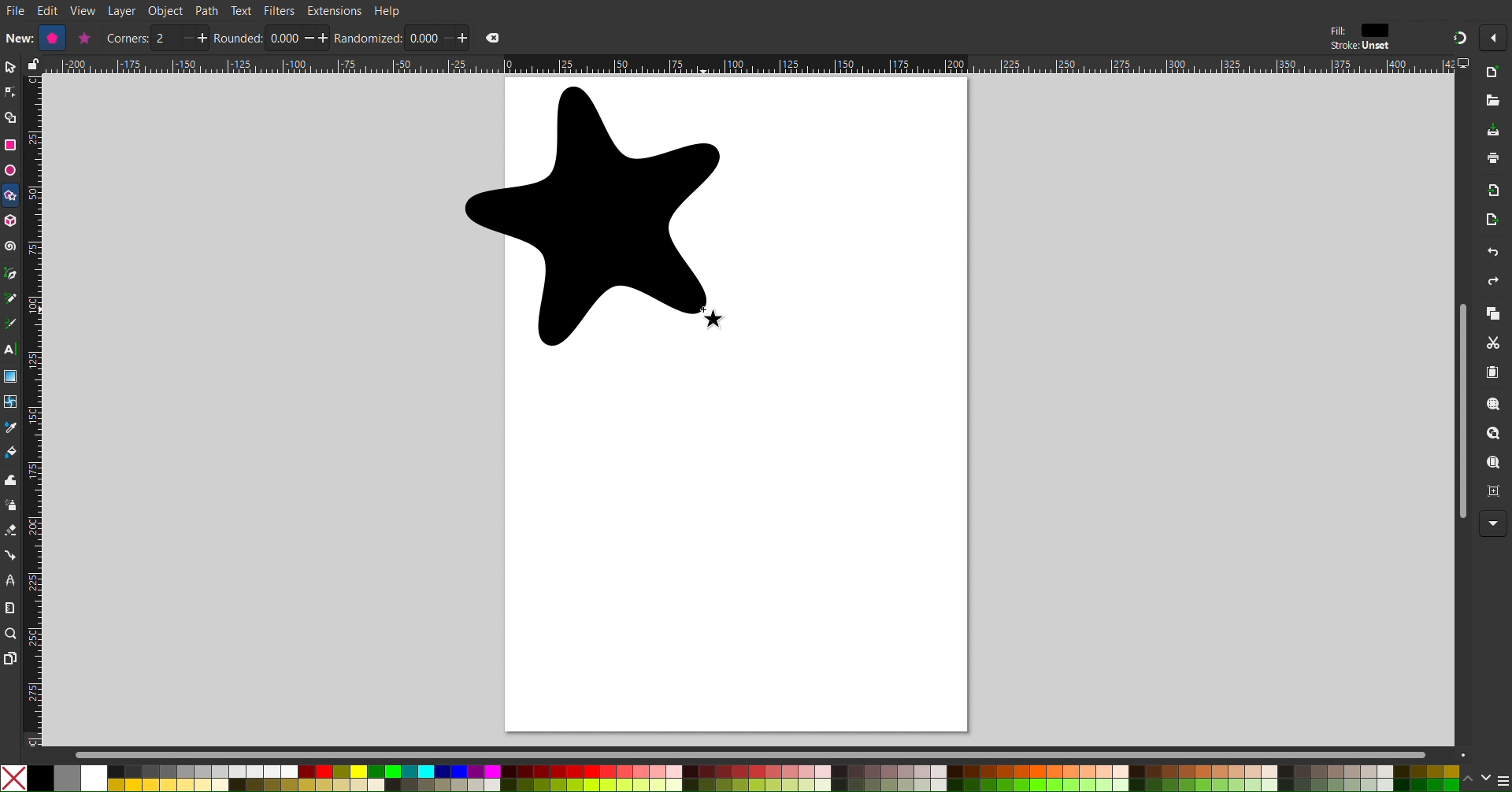  What do you see at coordinates (194, 38) in the screenshot?
I see `increase/decrease` at bounding box center [194, 38].